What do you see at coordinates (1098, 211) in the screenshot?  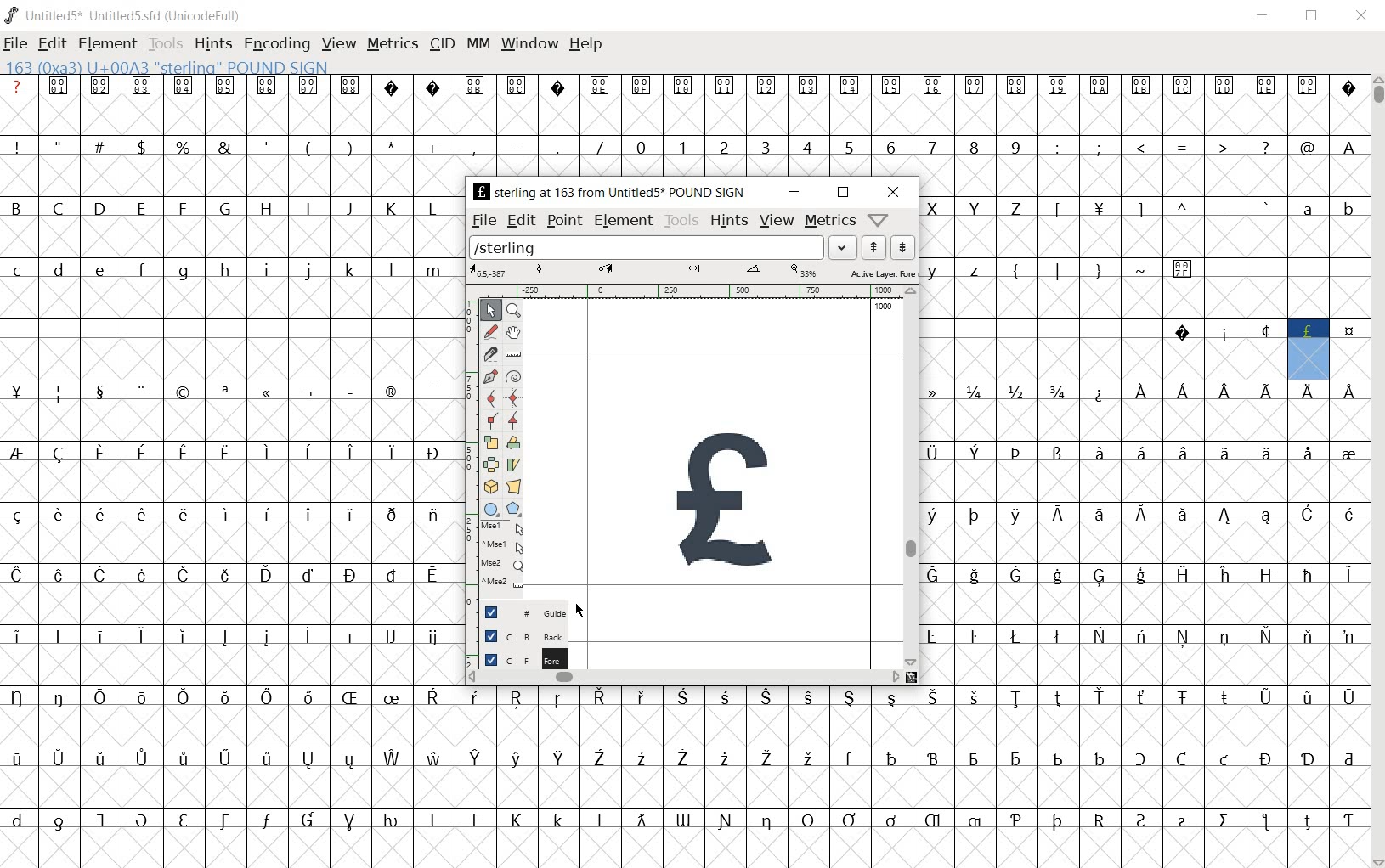 I see `Symbol` at bounding box center [1098, 211].